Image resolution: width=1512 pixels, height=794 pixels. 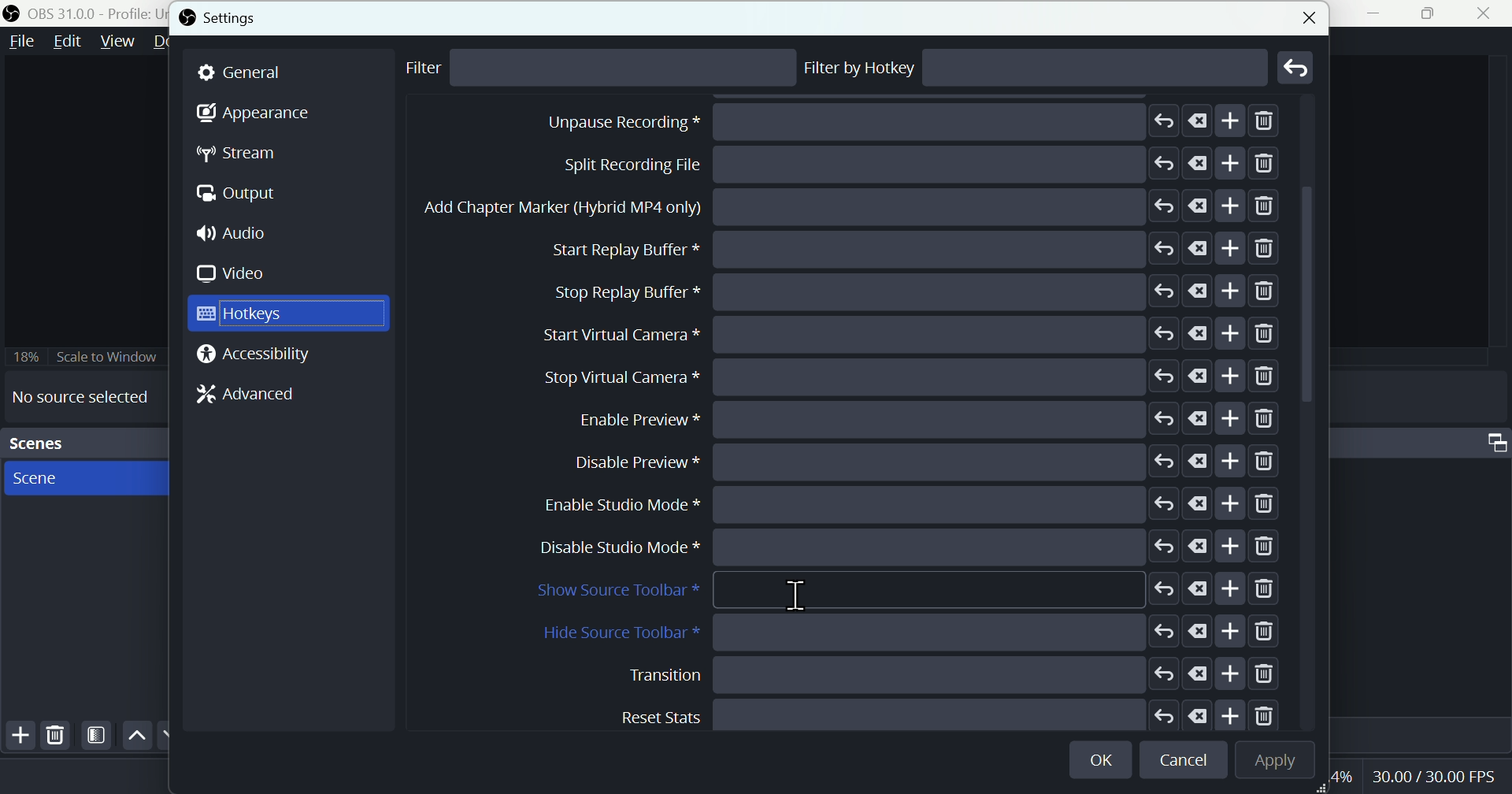 I want to click on start virtual camera, so click(x=905, y=504).